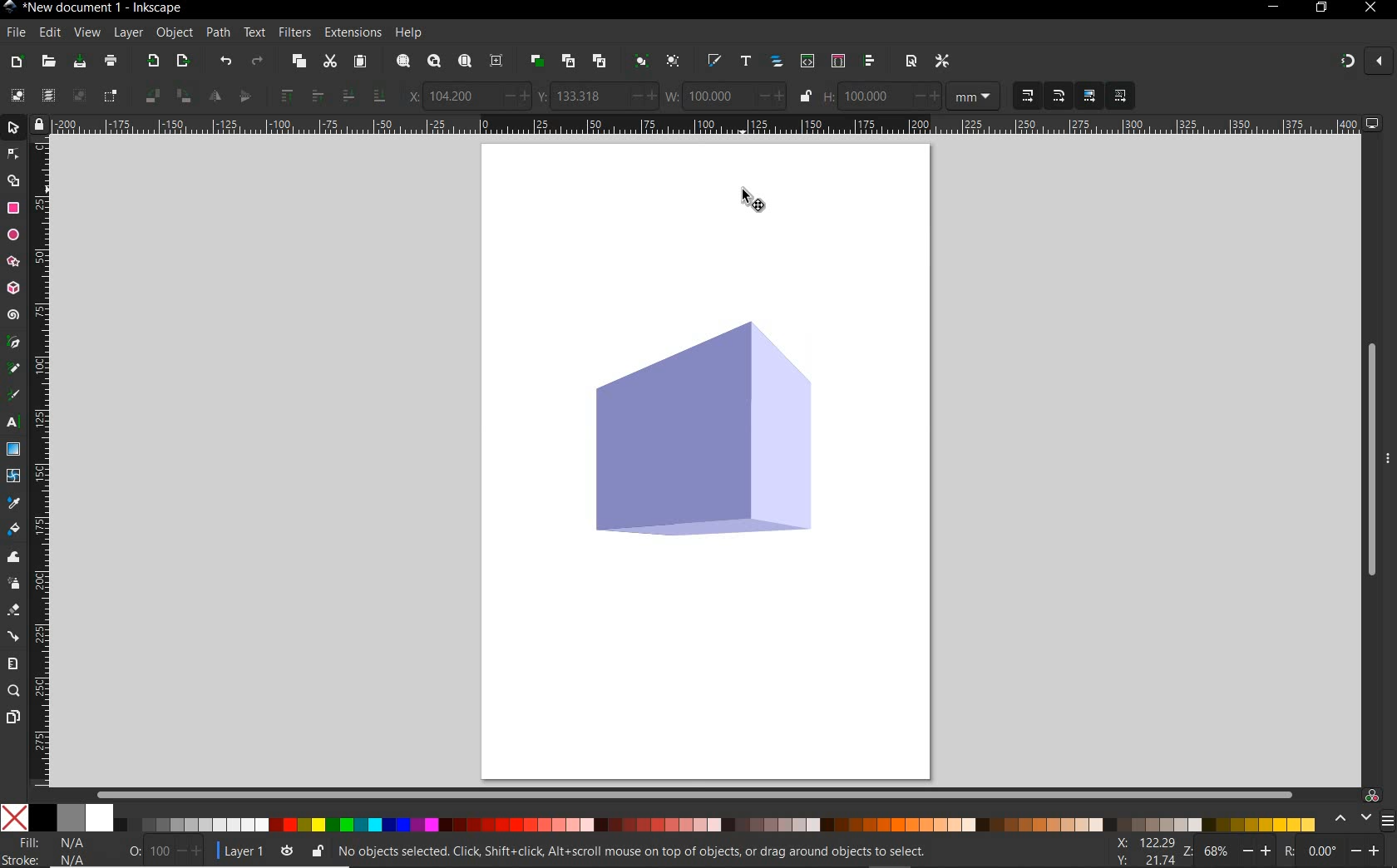 The width and height of the screenshot is (1397, 868). What do you see at coordinates (1368, 458) in the screenshot?
I see `scrollbar` at bounding box center [1368, 458].